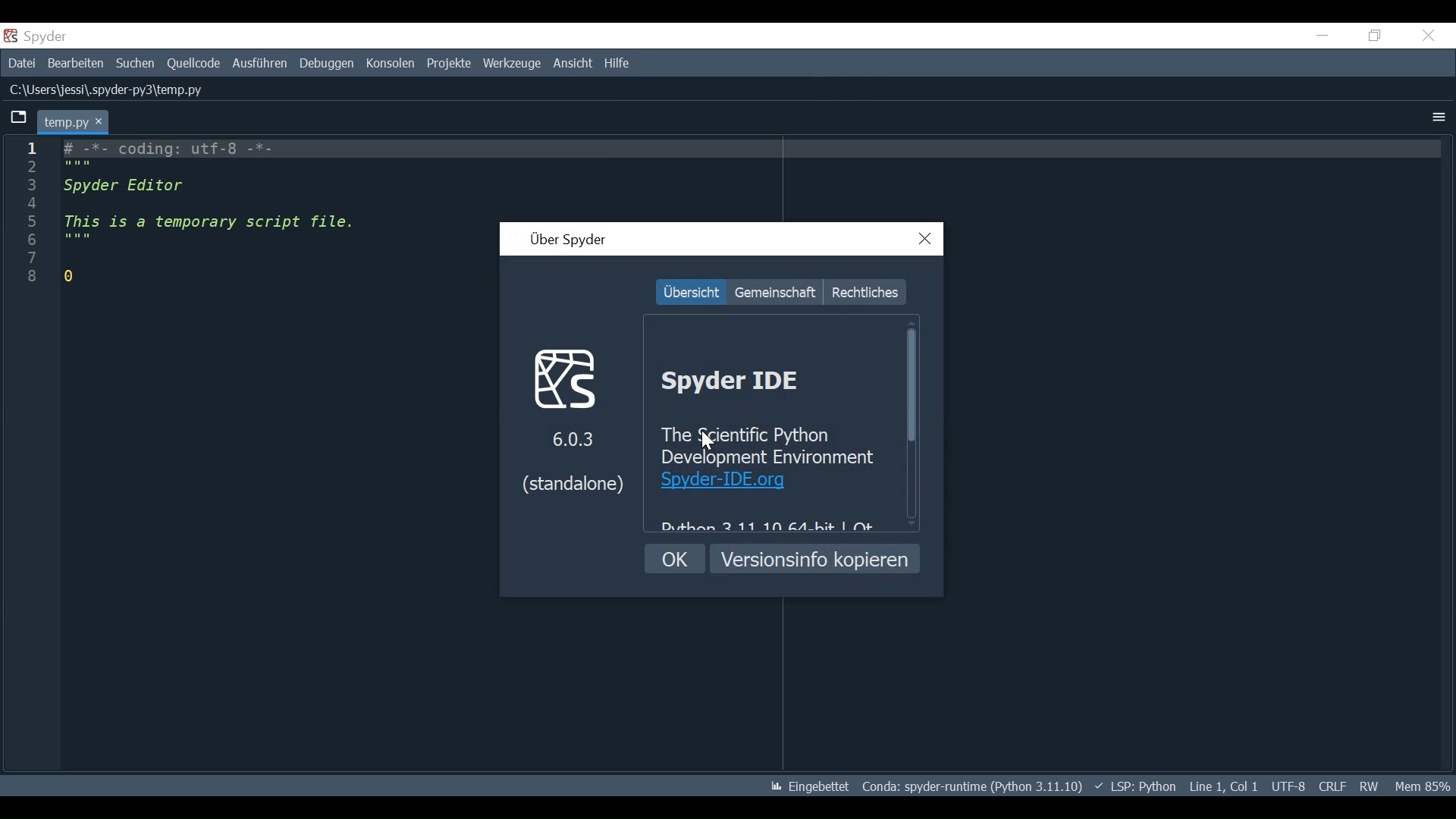 This screenshot has height=819, width=1456. What do you see at coordinates (108, 89) in the screenshot?
I see `C:\Users\jess\.spyder-py3\temp.py` at bounding box center [108, 89].